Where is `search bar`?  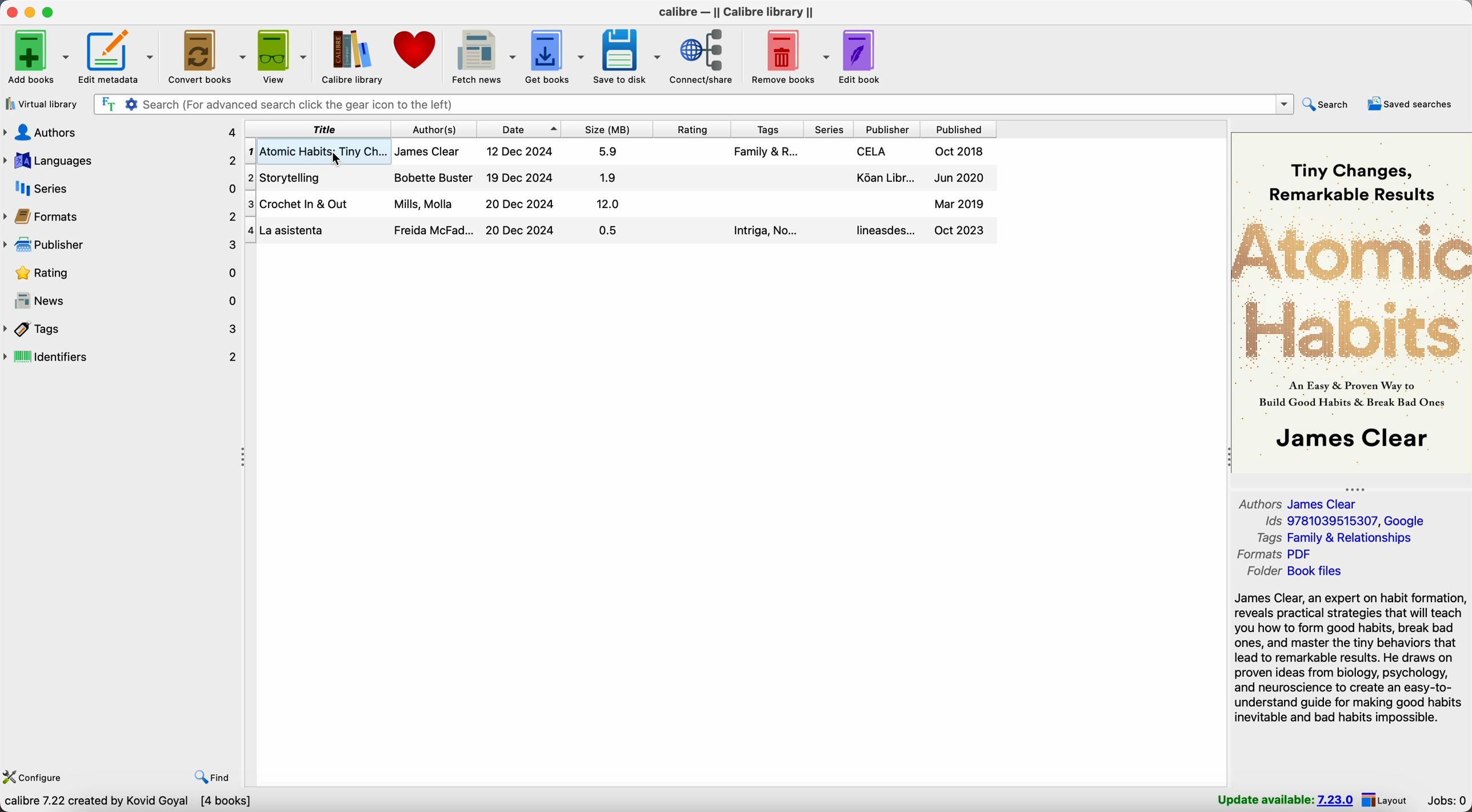 search bar is located at coordinates (691, 103).